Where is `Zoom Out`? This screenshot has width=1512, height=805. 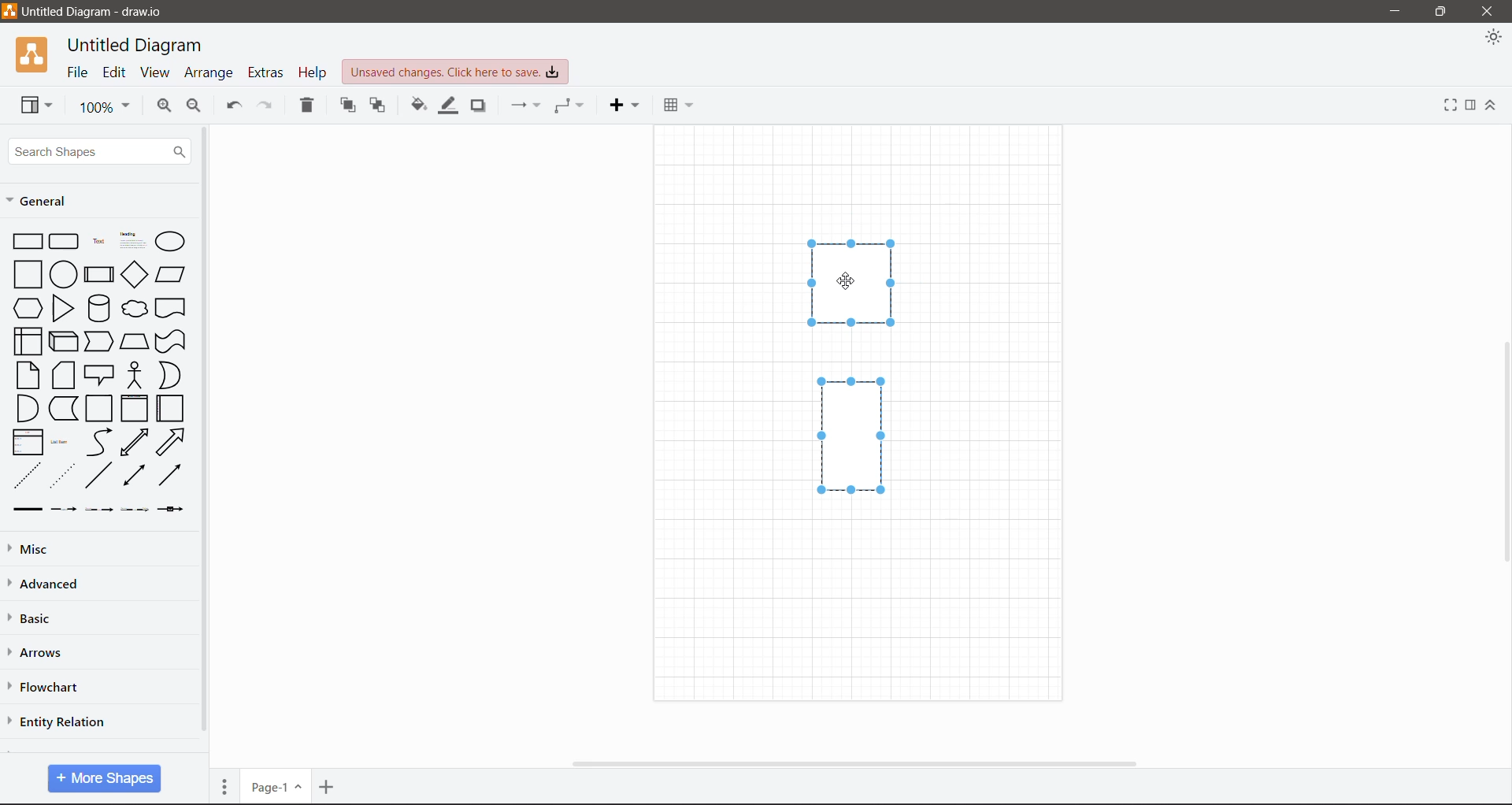 Zoom Out is located at coordinates (196, 107).